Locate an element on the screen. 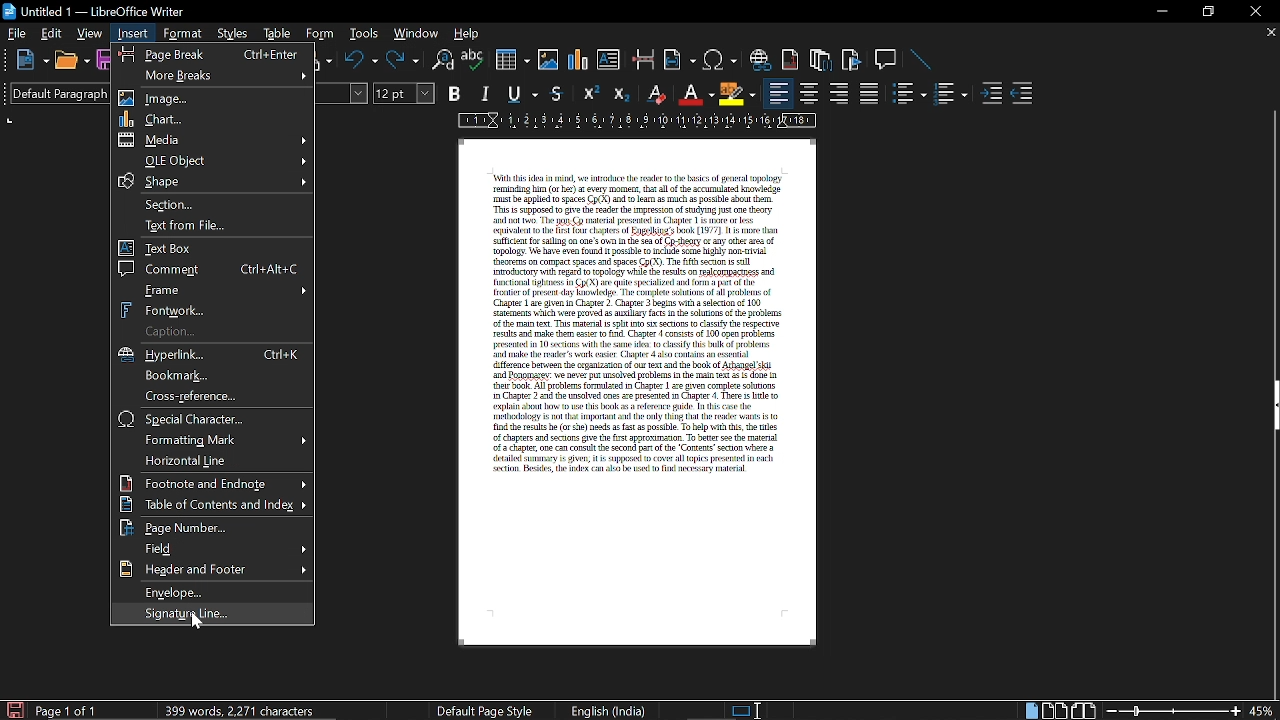 The image size is (1280, 720). insert image is located at coordinates (550, 61).